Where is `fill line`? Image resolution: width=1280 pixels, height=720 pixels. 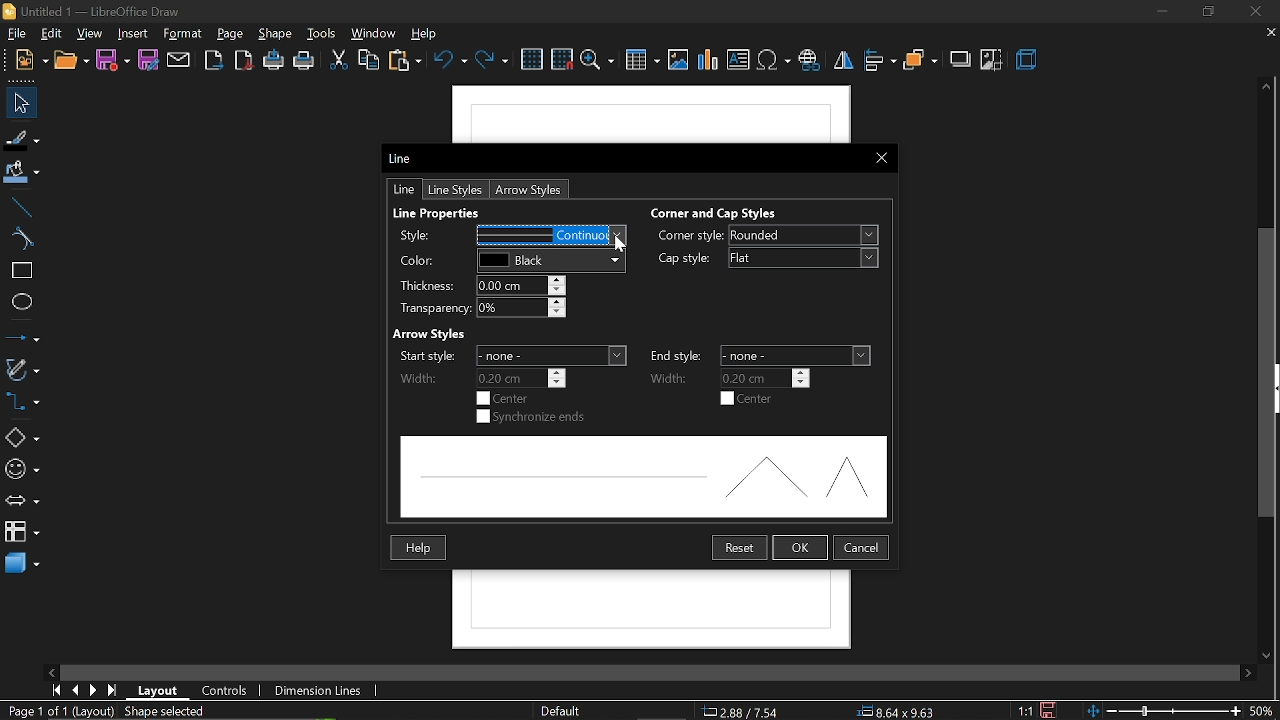
fill line is located at coordinates (21, 137).